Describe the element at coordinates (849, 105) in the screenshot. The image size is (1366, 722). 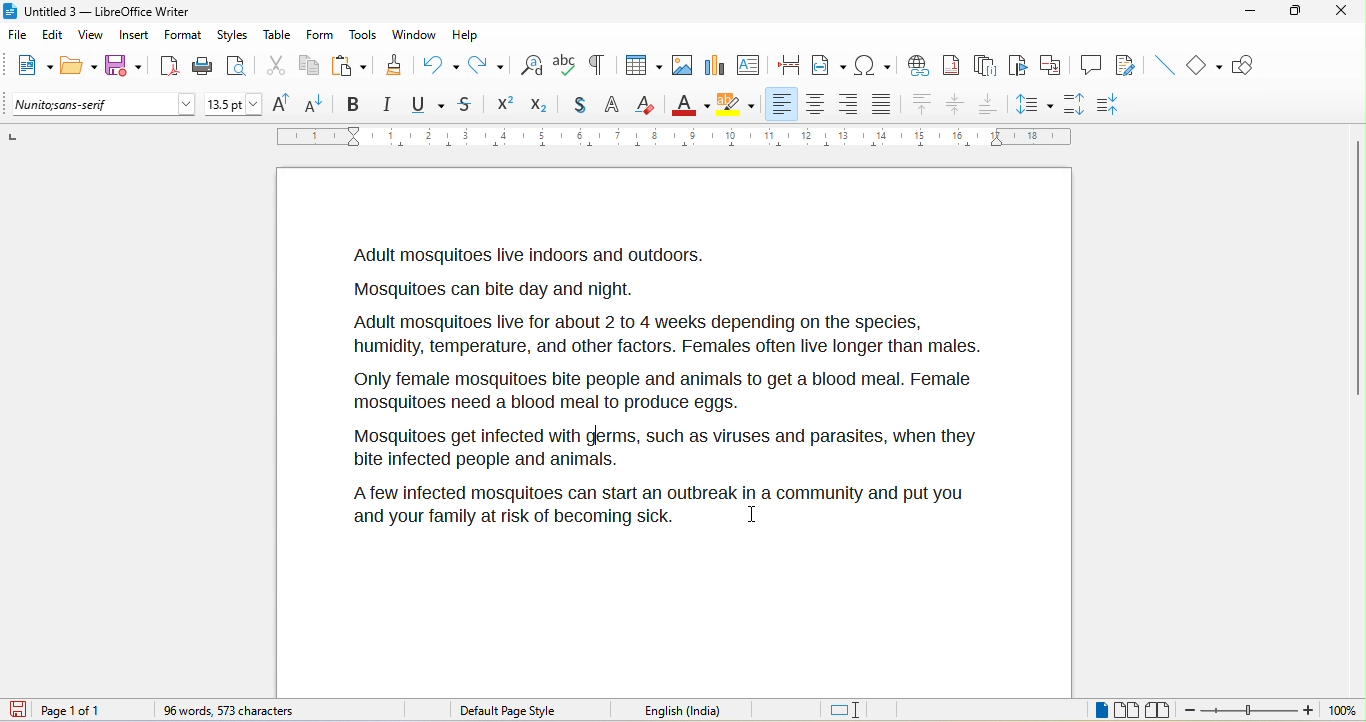
I see `align right` at that location.